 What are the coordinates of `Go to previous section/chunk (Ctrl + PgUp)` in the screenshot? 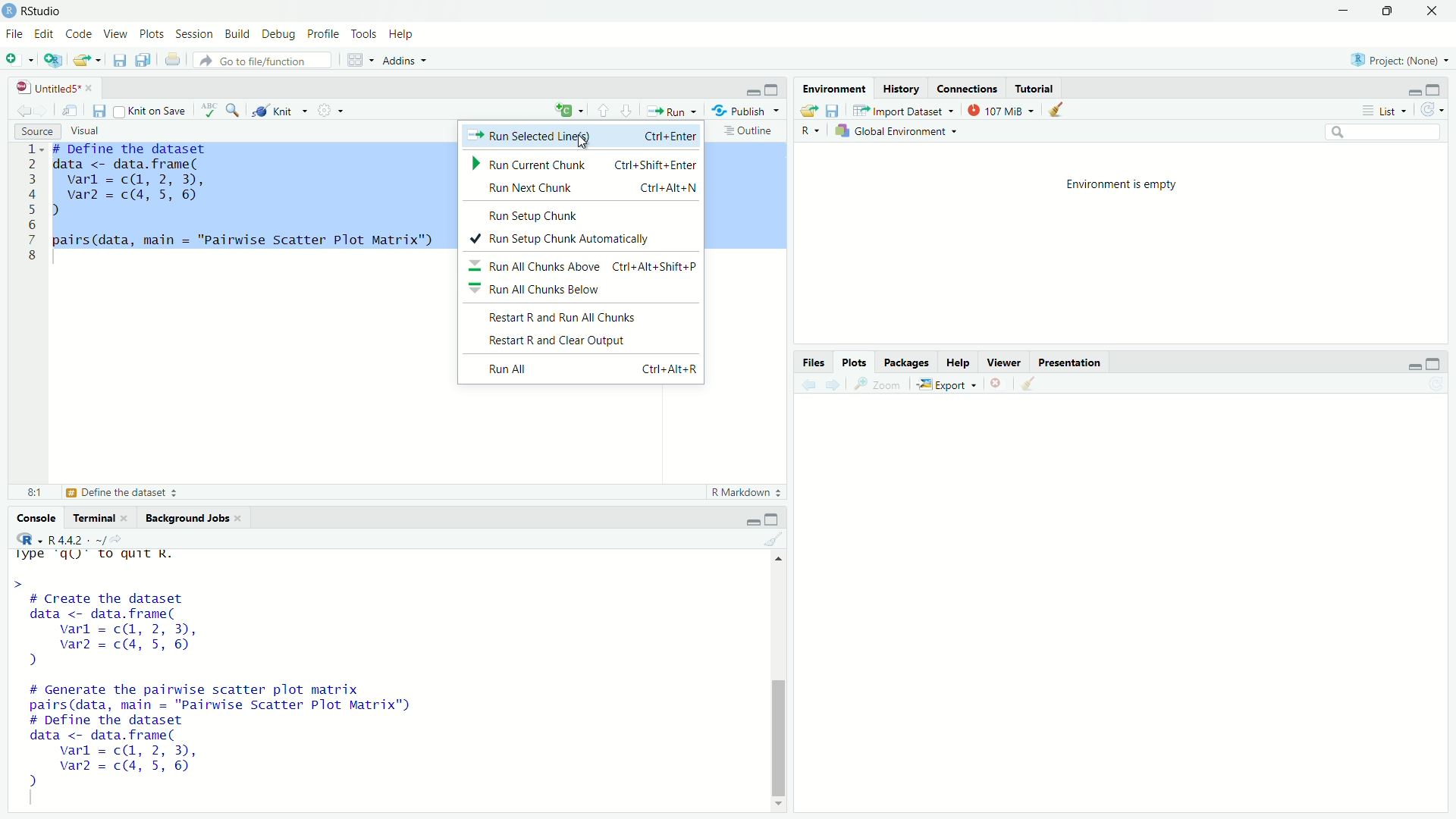 It's located at (604, 110).